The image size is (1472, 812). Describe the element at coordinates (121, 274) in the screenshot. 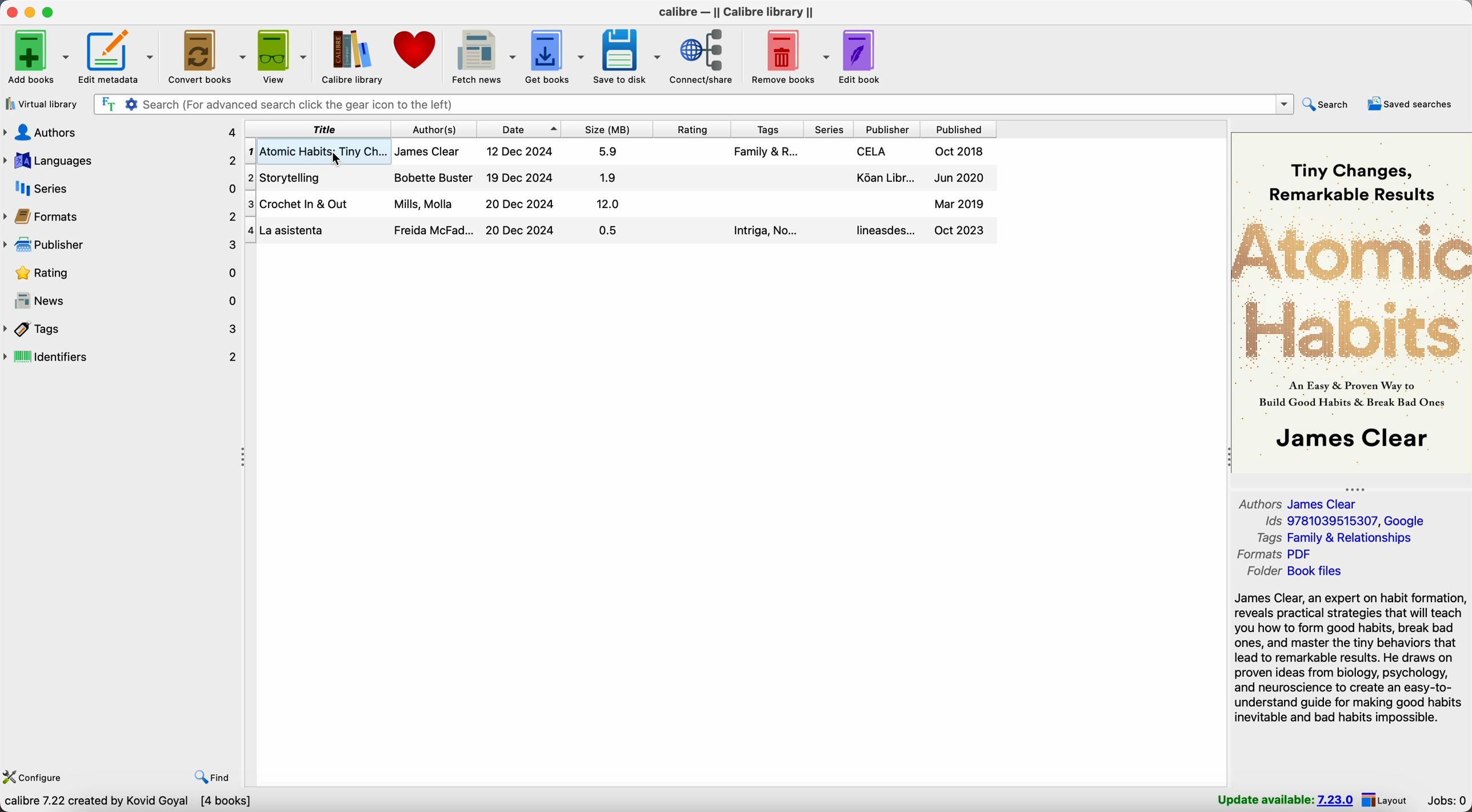

I see `rating` at that location.